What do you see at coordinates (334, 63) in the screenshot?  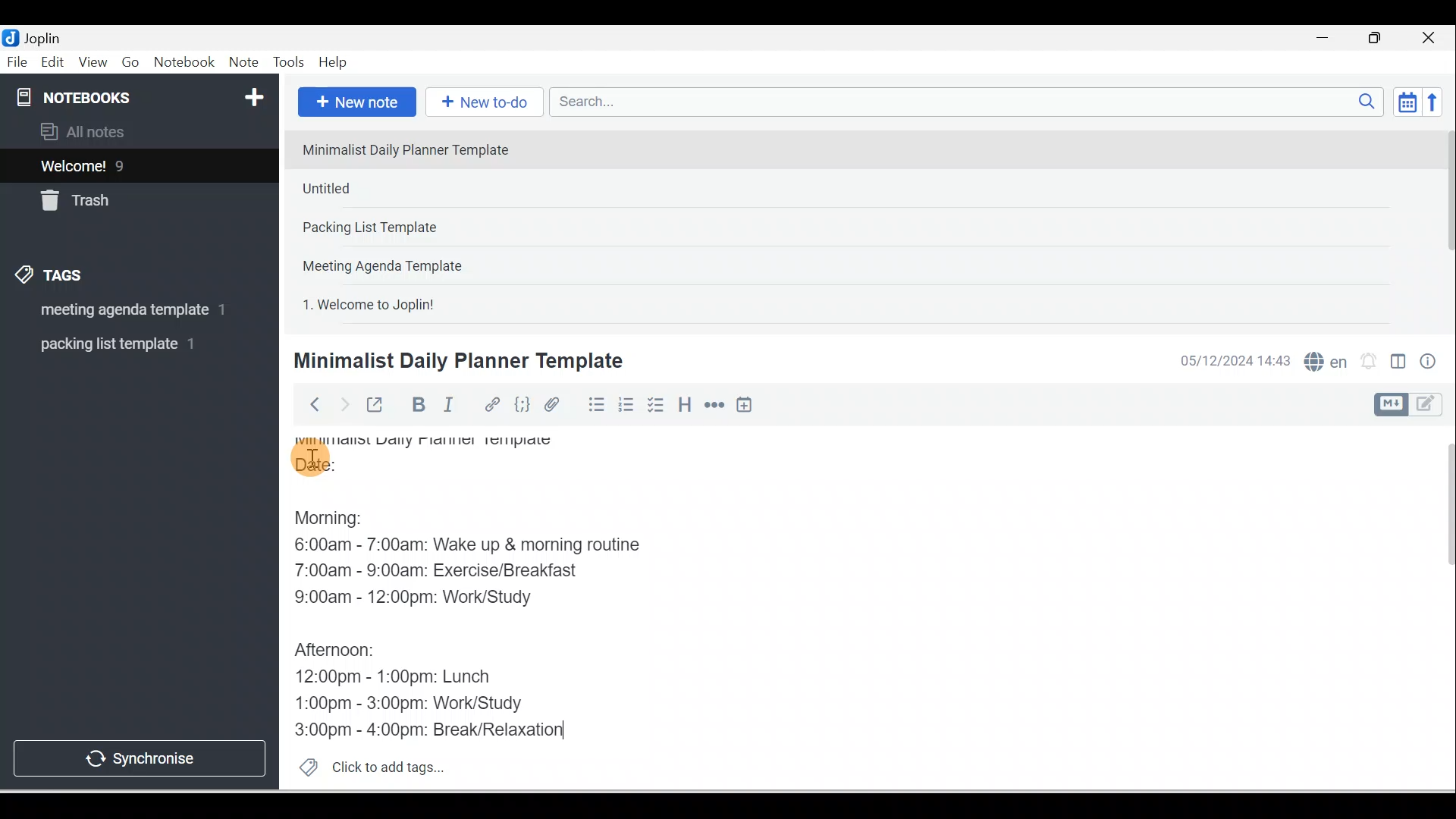 I see `Help` at bounding box center [334, 63].